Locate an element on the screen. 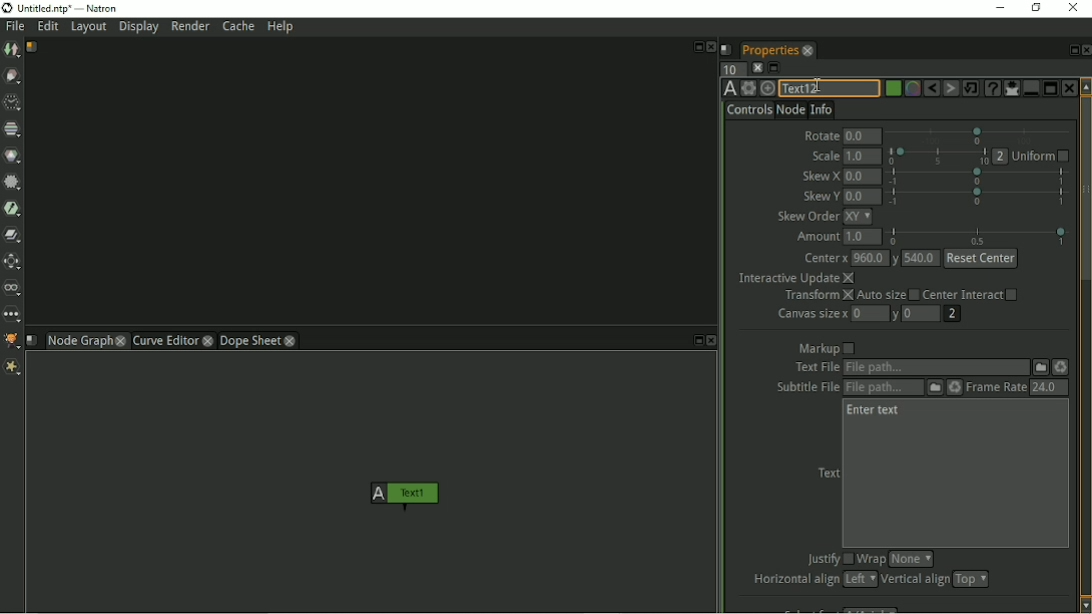 Image resolution: width=1092 pixels, height=614 pixels. Render is located at coordinates (190, 26).